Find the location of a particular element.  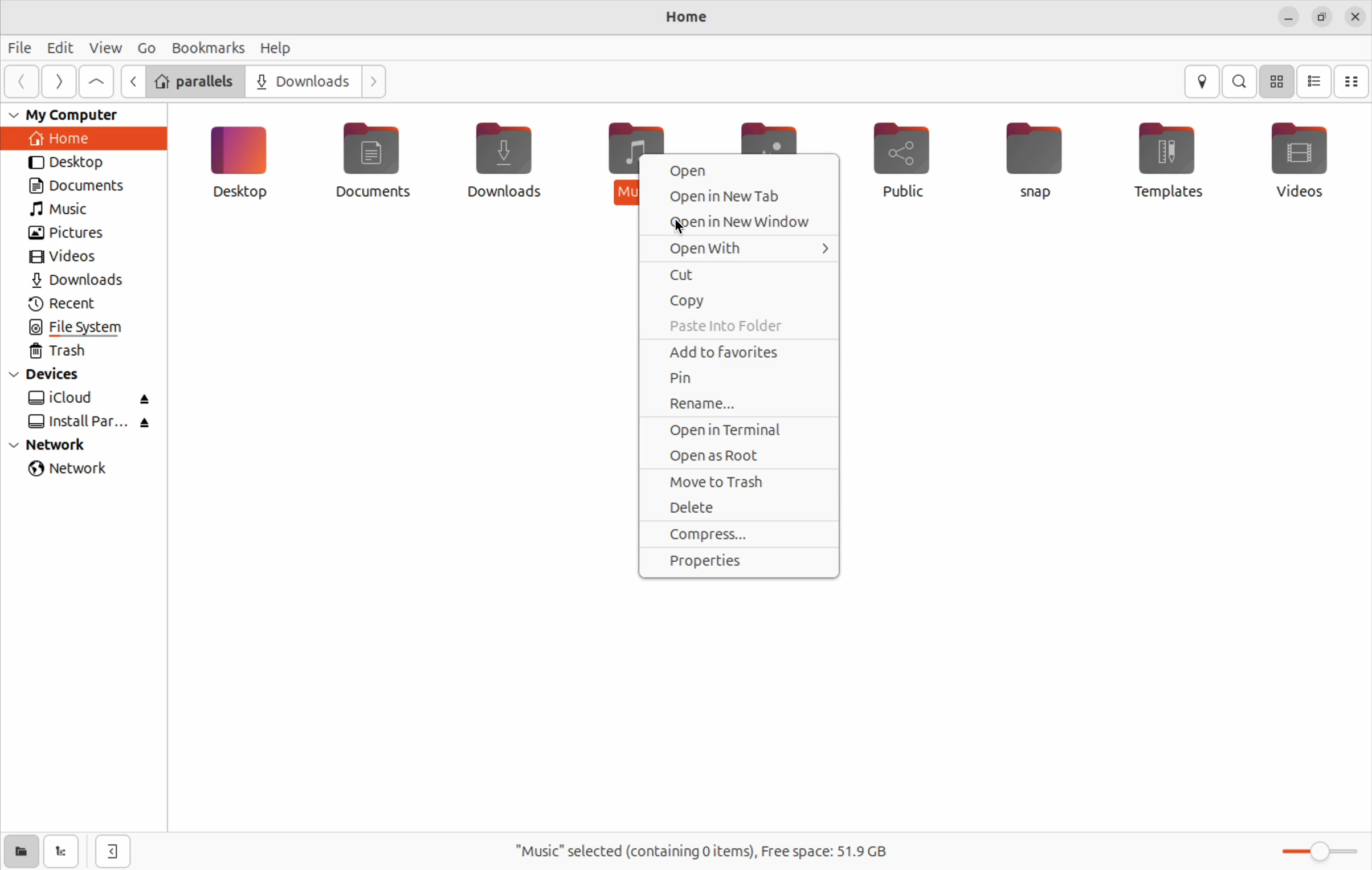

install is located at coordinates (87, 423).